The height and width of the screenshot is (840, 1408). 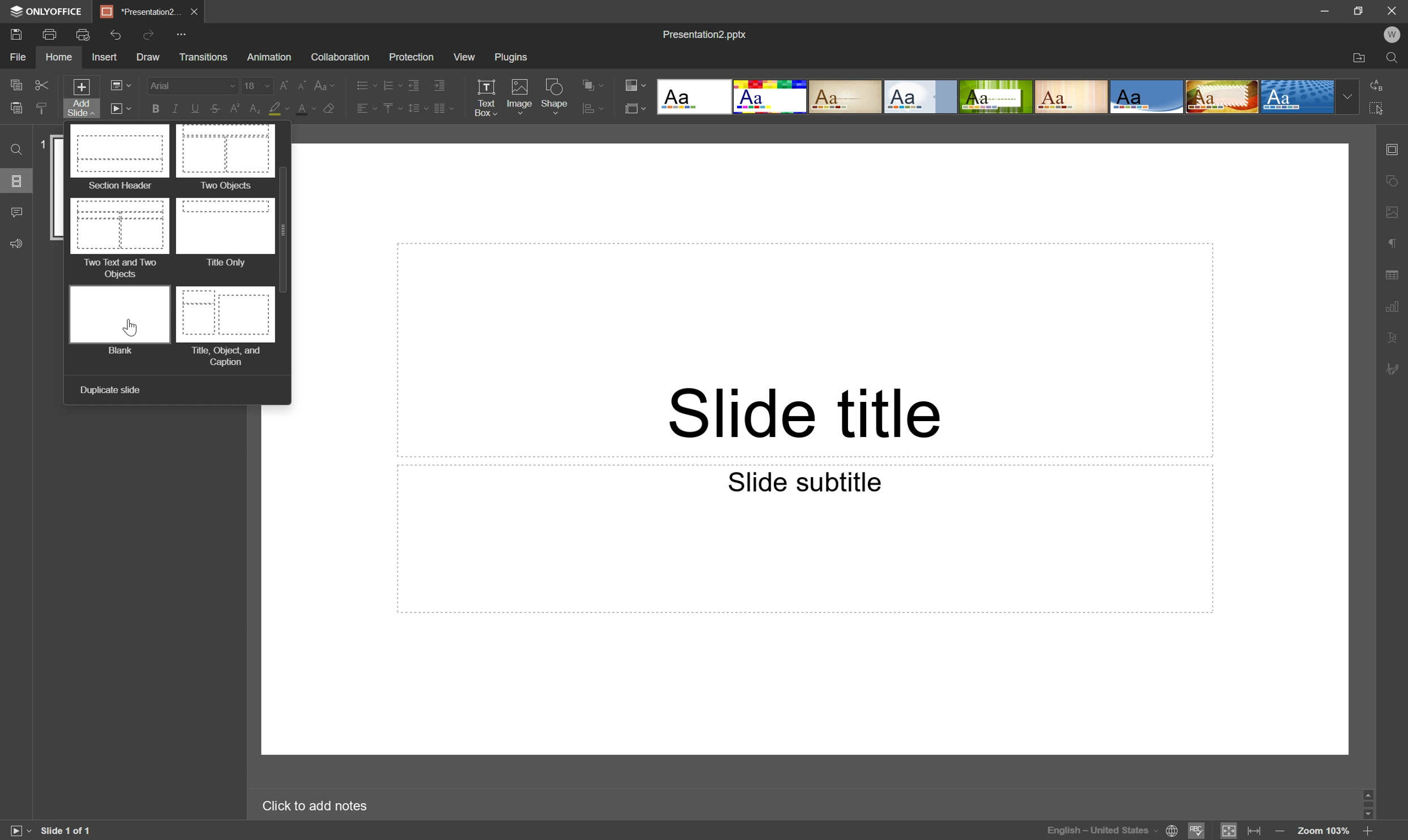 What do you see at coordinates (1393, 241) in the screenshot?
I see `Paragraph settings` at bounding box center [1393, 241].